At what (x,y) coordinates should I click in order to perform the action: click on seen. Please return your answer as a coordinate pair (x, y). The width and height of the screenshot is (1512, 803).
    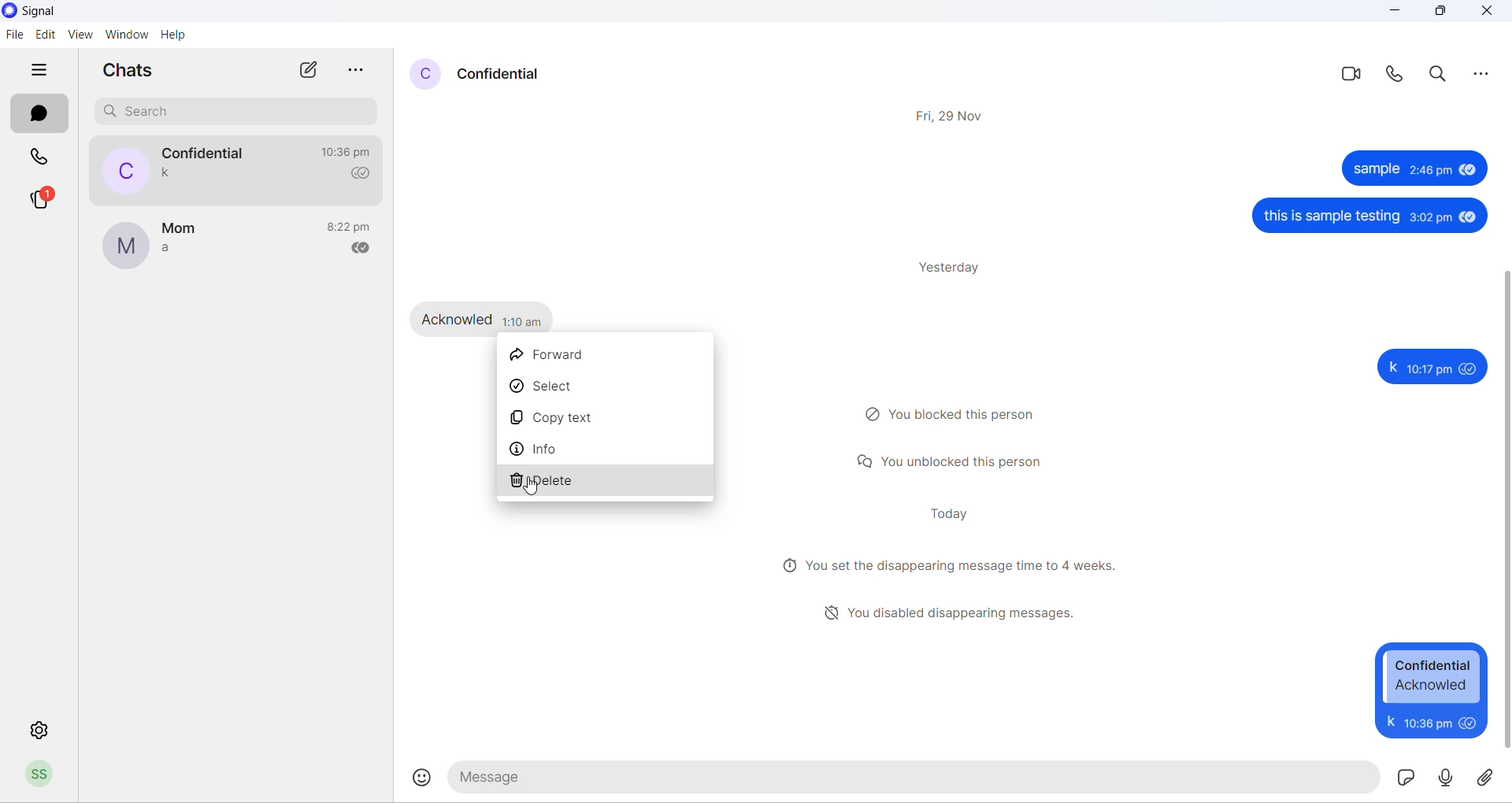
    Looking at the image, I should click on (1467, 216).